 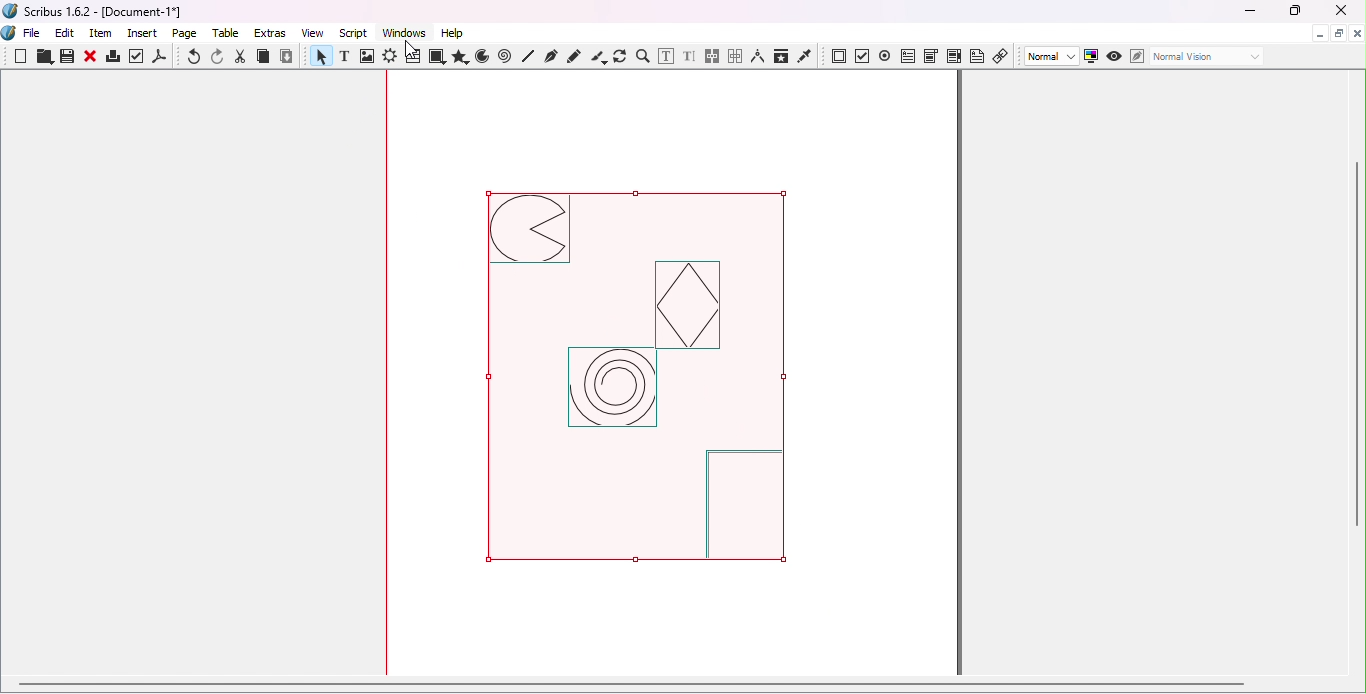 I want to click on Maximize, so click(x=1338, y=32).